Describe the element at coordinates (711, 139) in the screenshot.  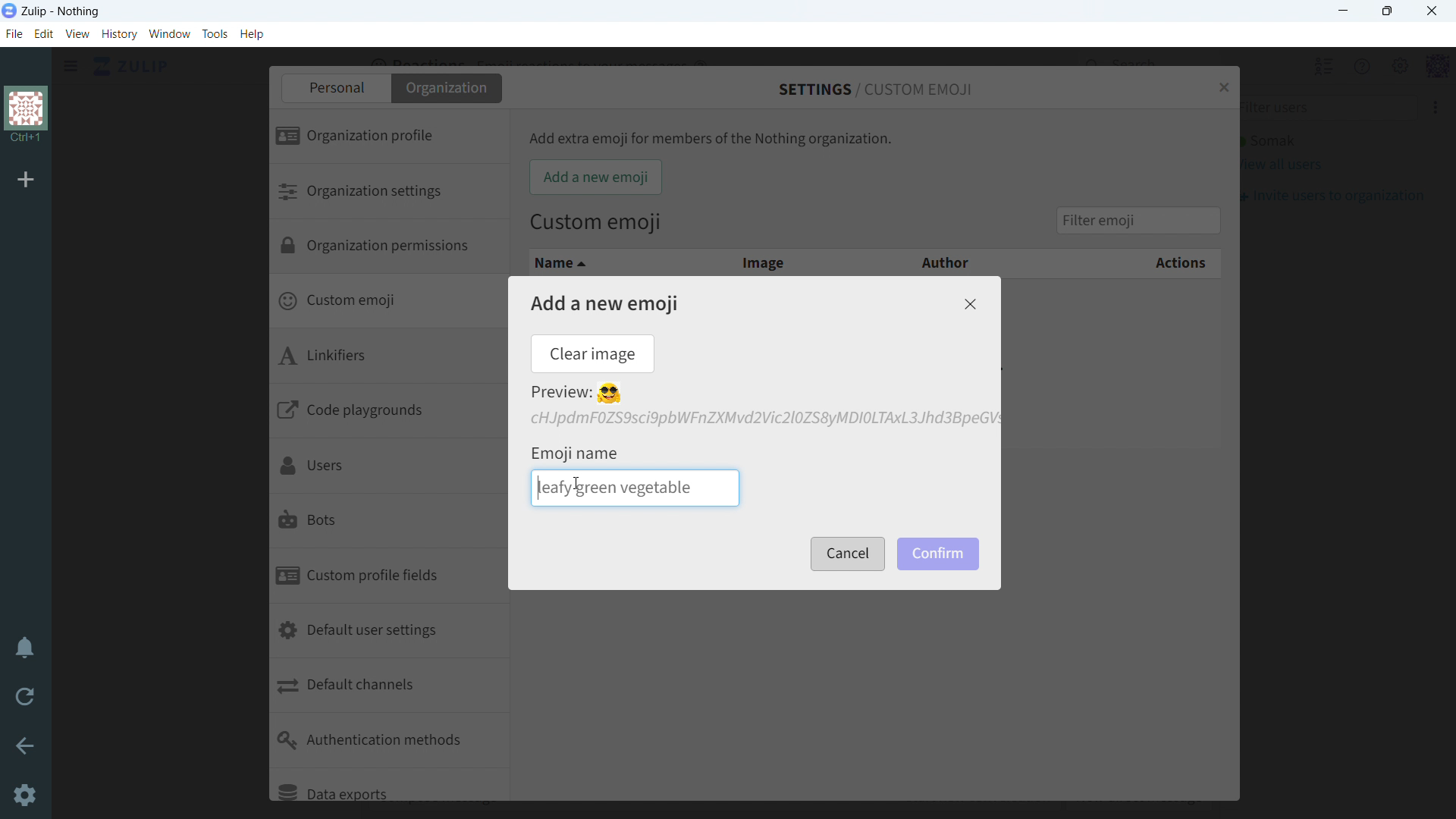
I see `Add extra emoji for members of the Nothing organization.` at that location.